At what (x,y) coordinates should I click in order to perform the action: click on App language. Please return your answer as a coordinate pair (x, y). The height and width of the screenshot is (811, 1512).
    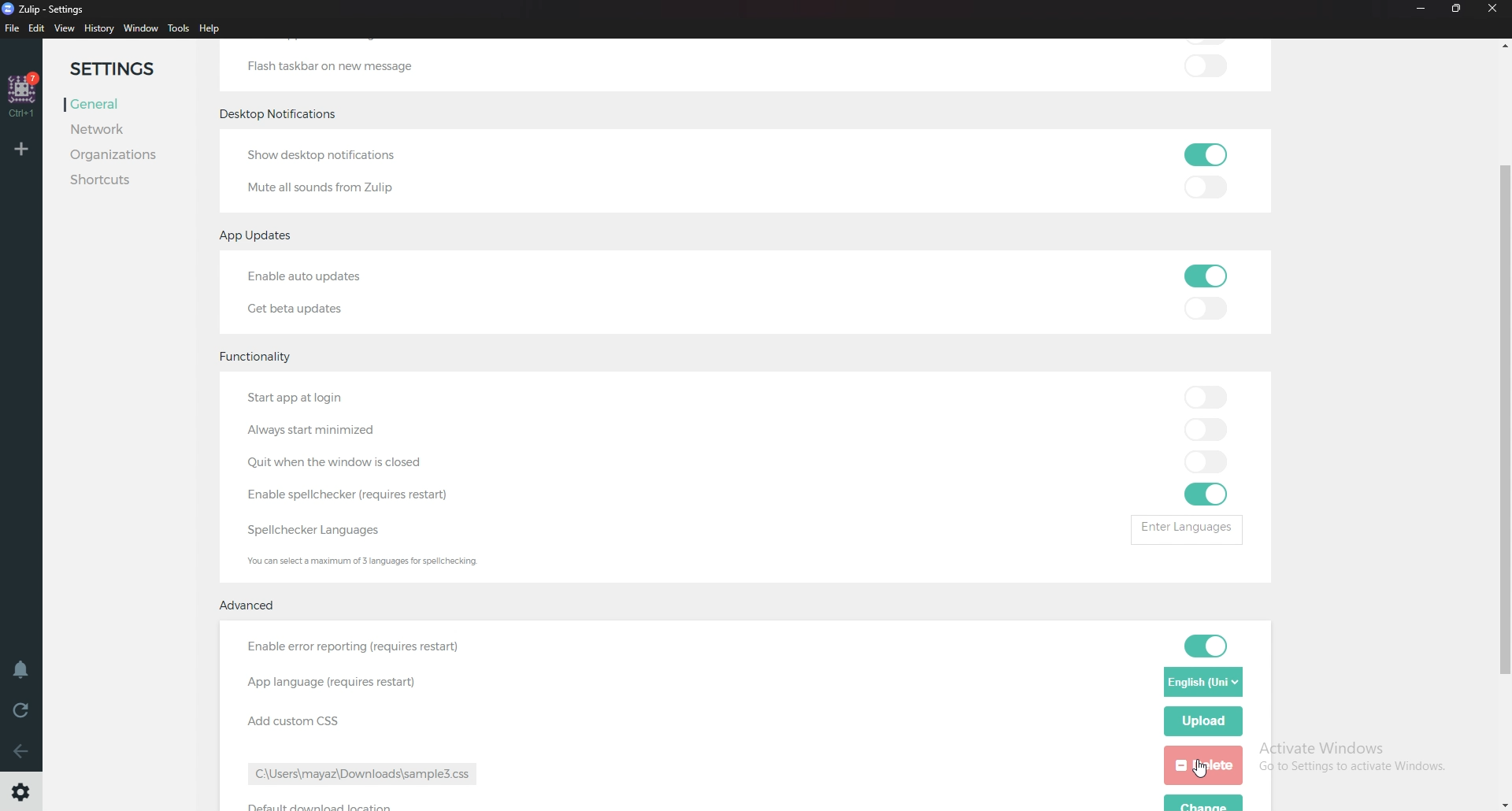
    Looking at the image, I should click on (333, 681).